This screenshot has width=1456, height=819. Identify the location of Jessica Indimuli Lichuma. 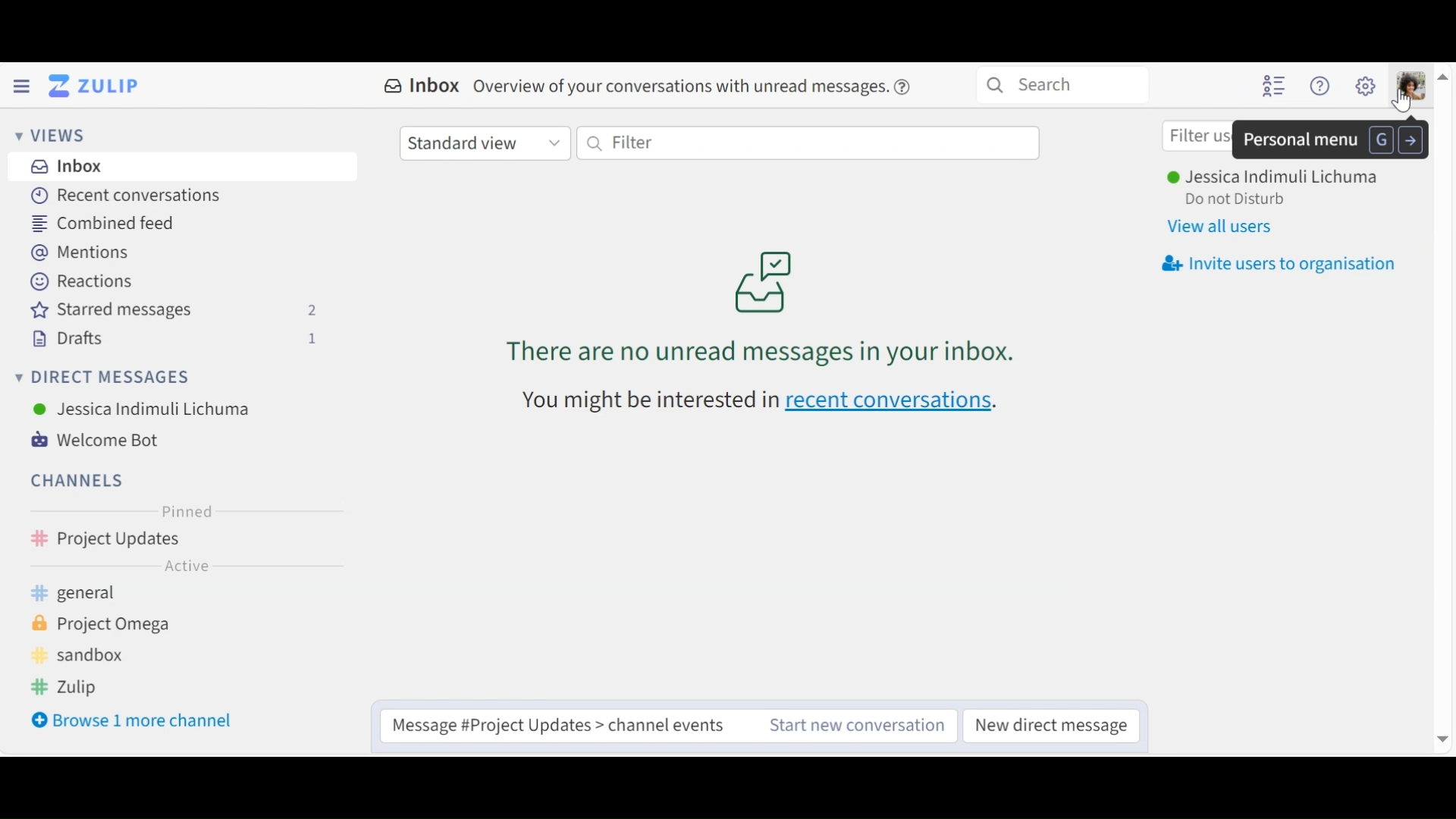
(1272, 179).